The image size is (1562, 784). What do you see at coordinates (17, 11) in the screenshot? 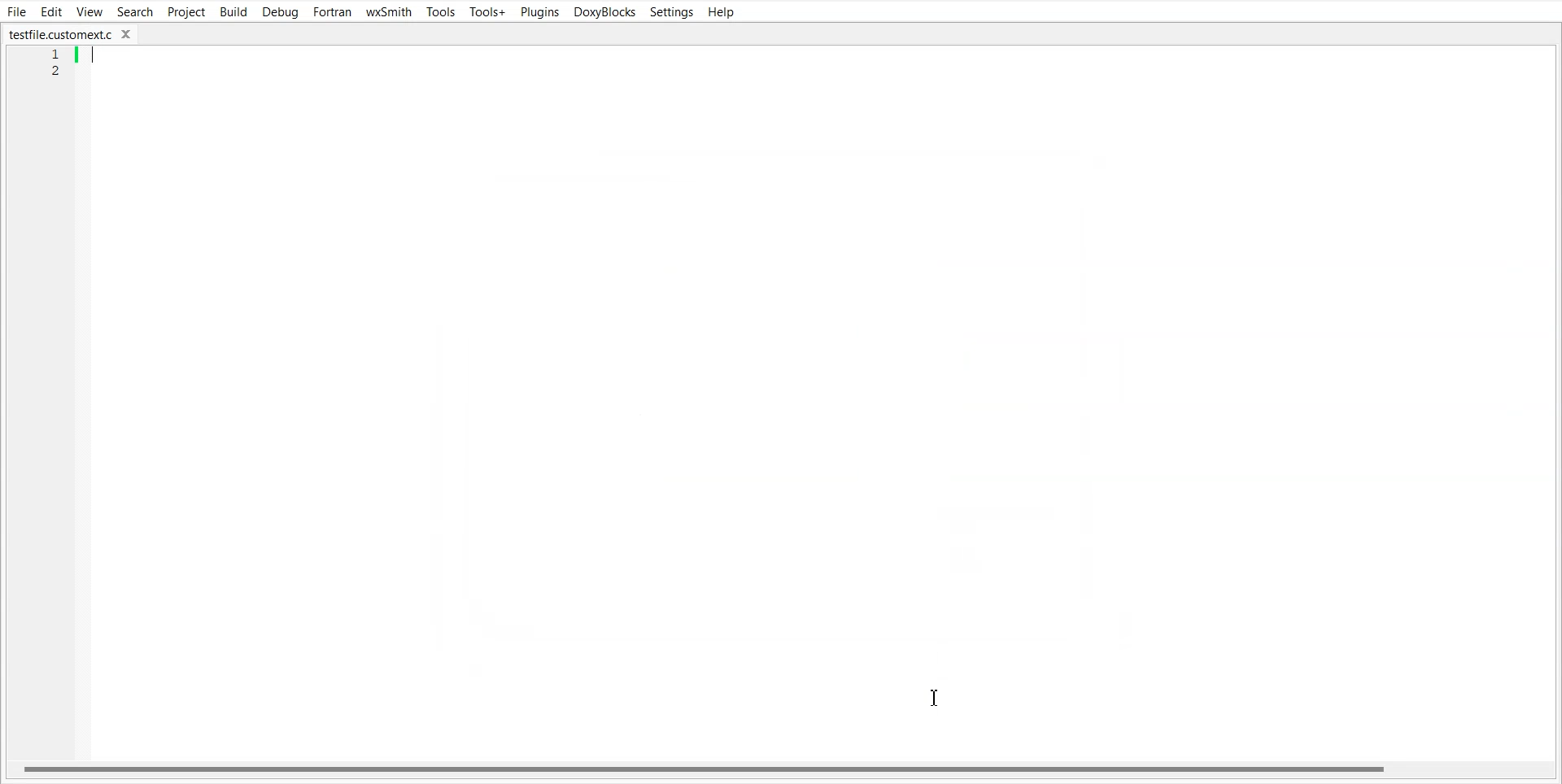
I see `File` at bounding box center [17, 11].